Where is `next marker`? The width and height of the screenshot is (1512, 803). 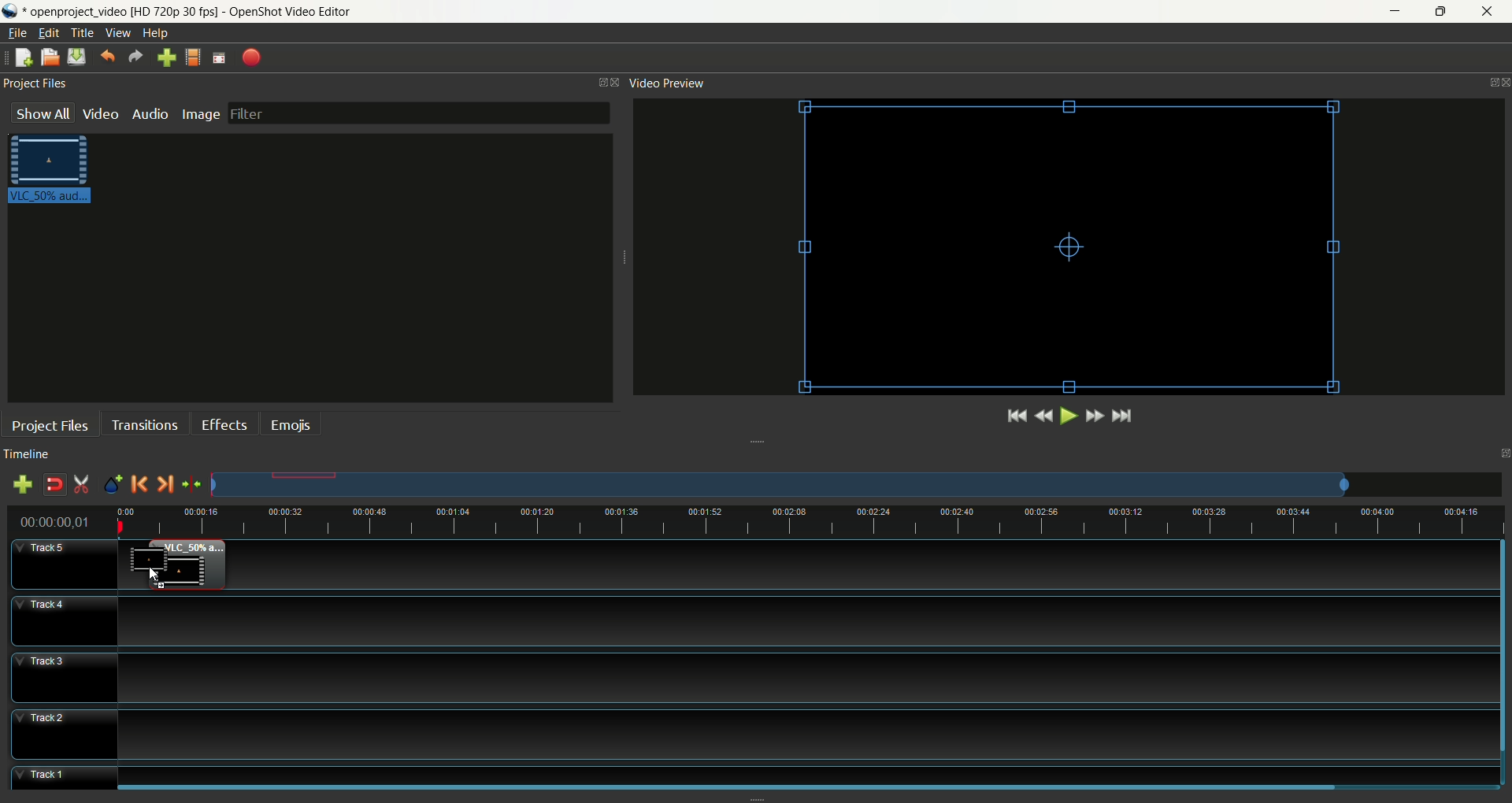 next marker is located at coordinates (165, 484).